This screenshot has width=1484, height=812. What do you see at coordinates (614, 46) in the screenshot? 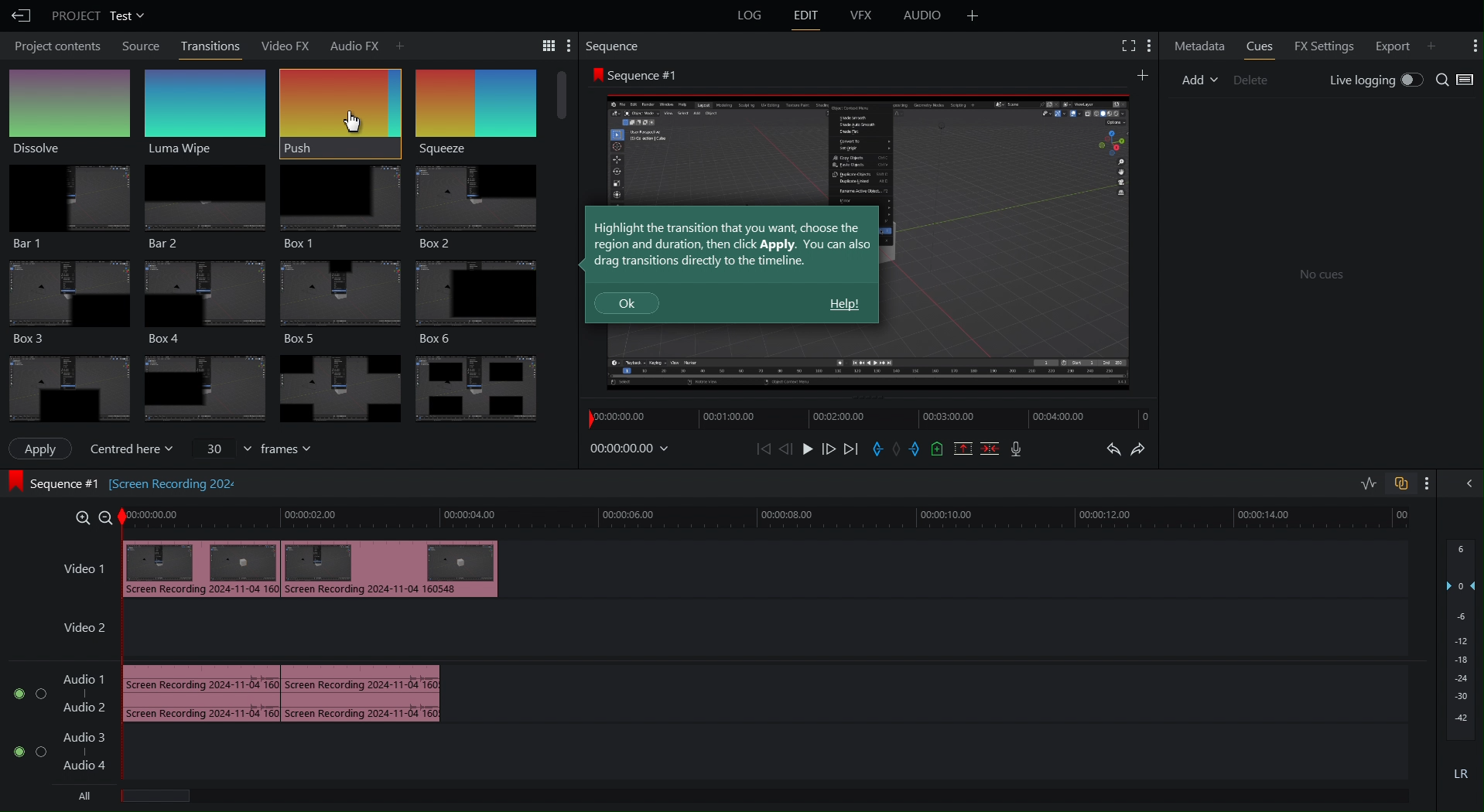
I see `Sequence` at bounding box center [614, 46].